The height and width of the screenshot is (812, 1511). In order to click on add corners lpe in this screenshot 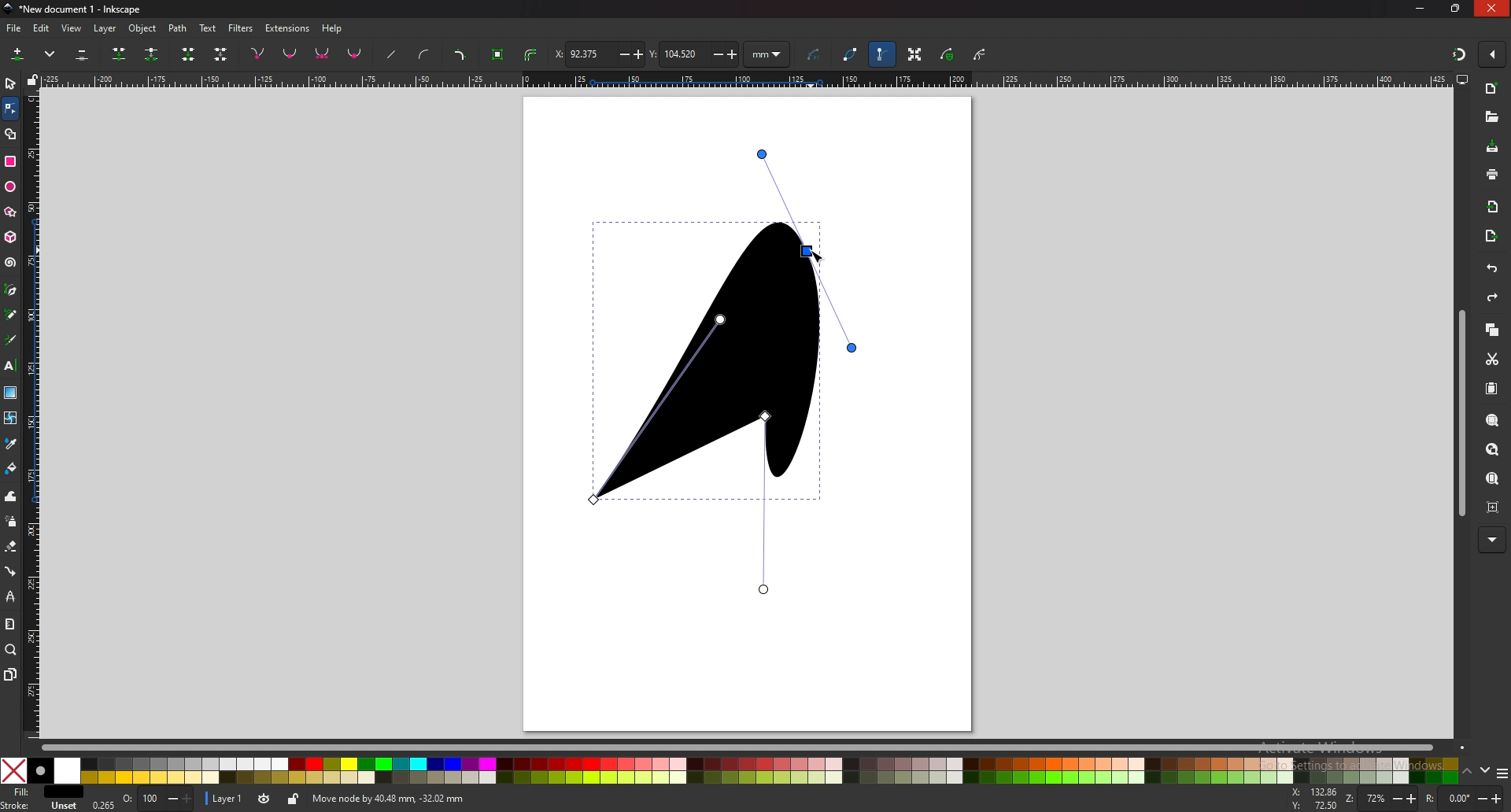, I will do `click(460, 55)`.